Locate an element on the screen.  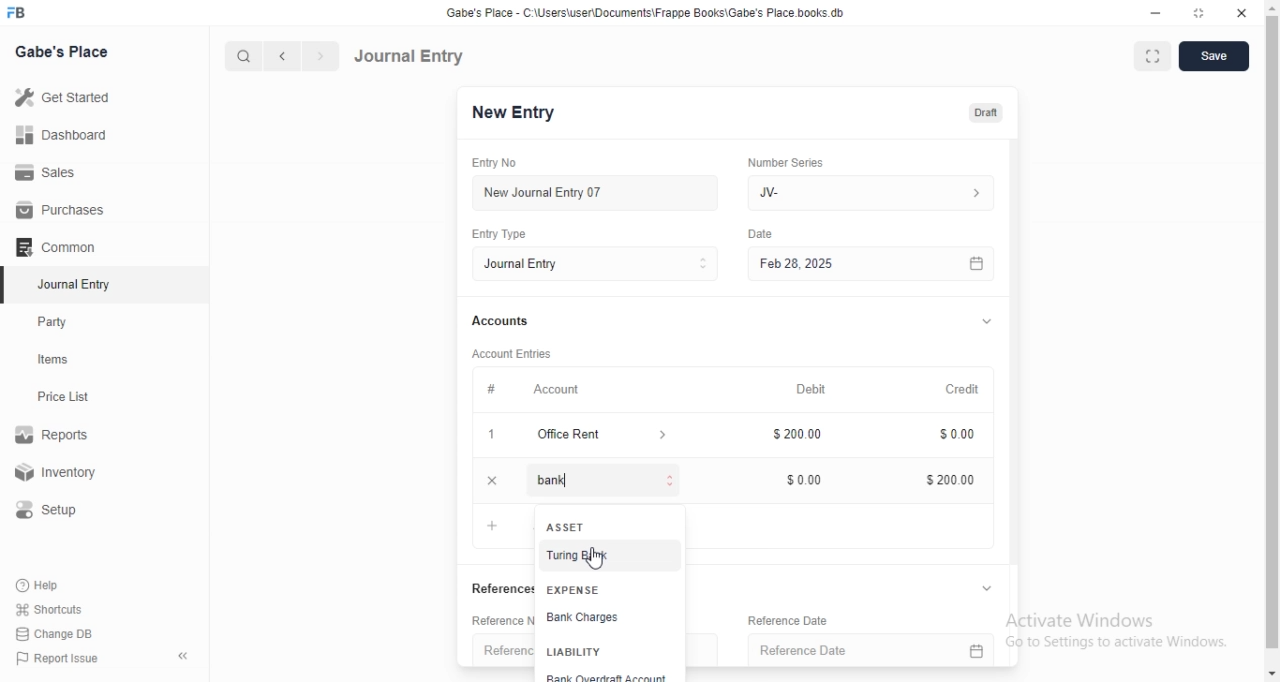
Help is located at coordinates (41, 585).